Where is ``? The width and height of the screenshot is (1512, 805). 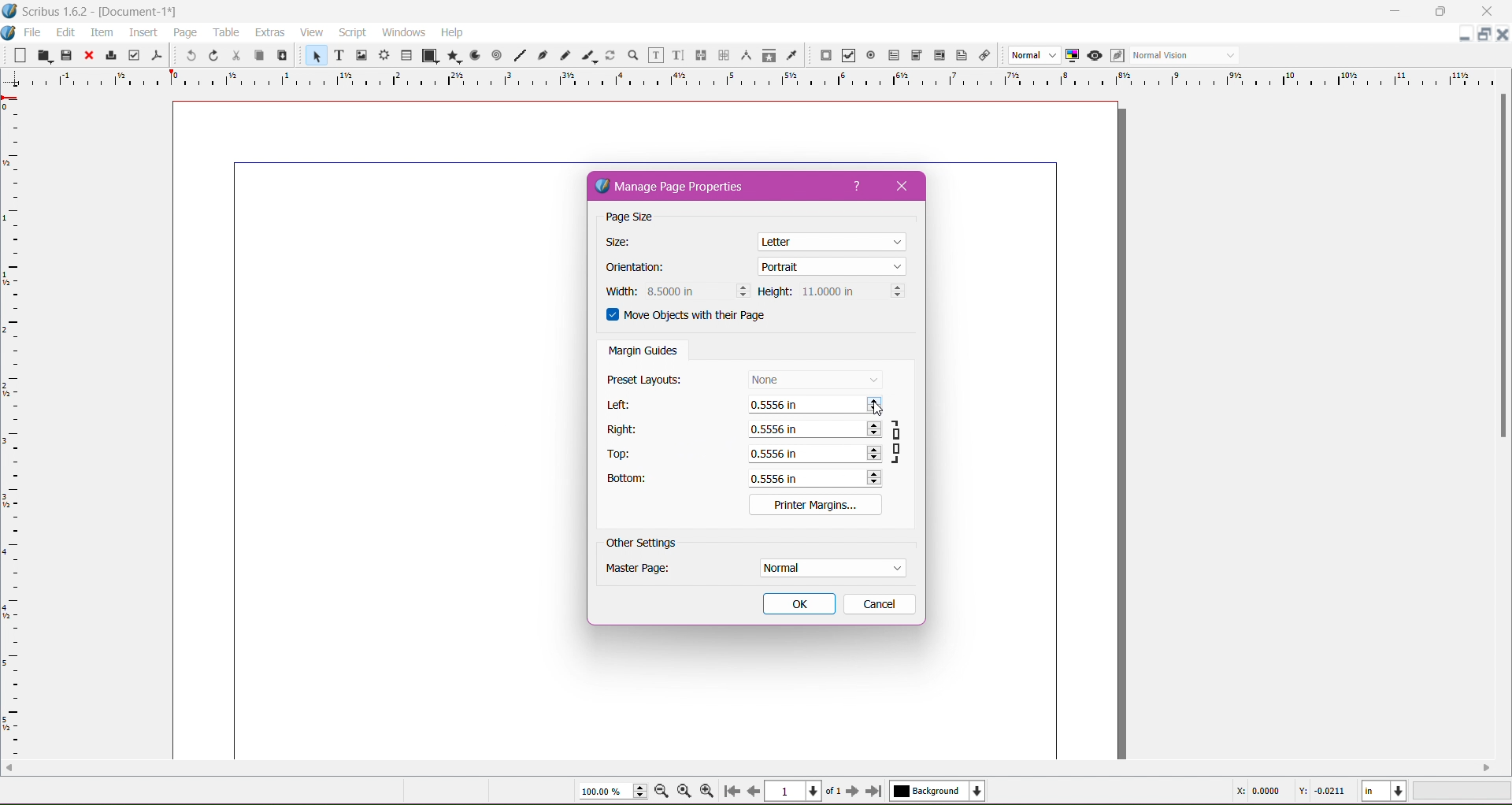  is located at coordinates (654, 380).